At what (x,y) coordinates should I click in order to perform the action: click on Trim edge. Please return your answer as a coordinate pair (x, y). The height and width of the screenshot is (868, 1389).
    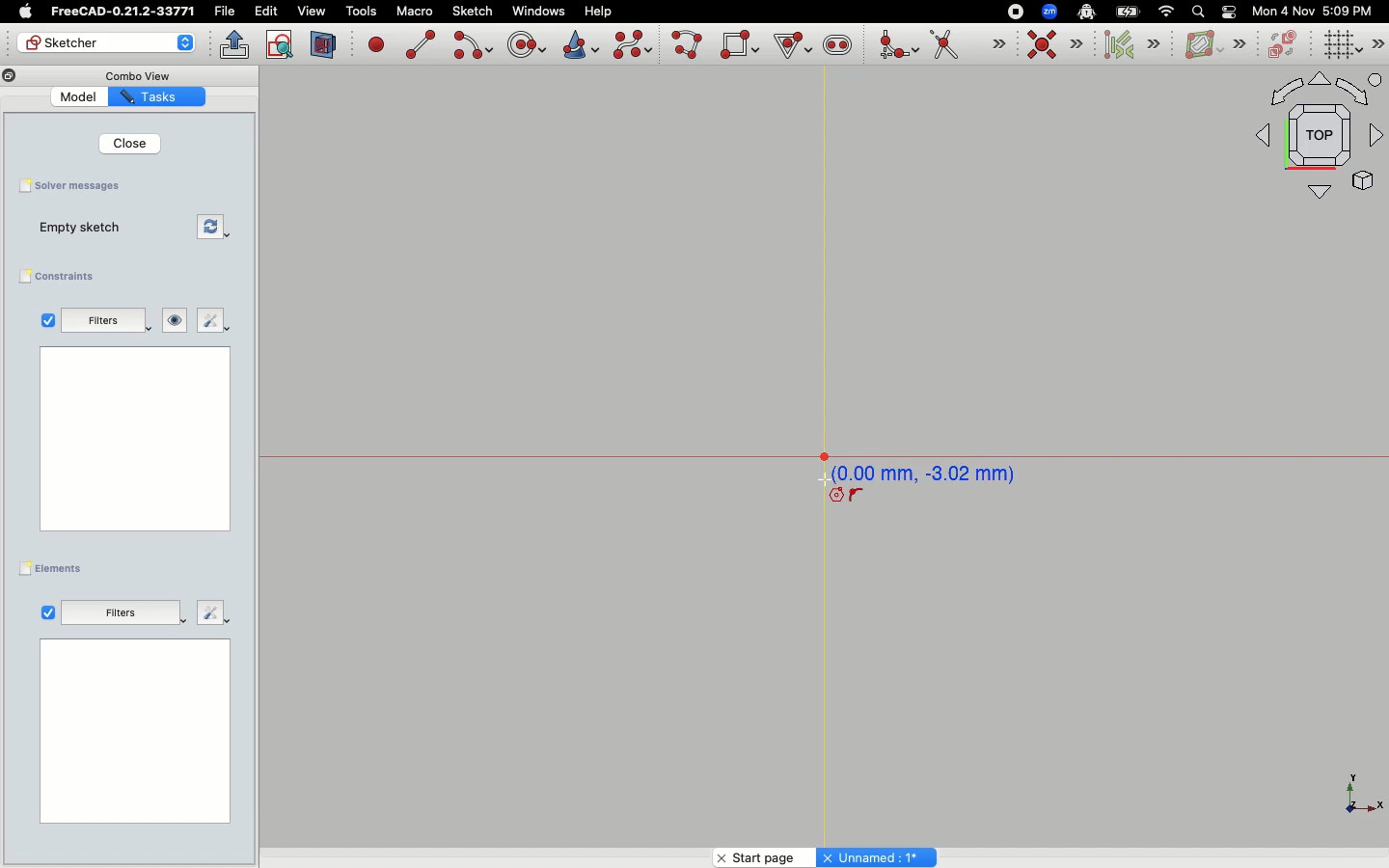
    Looking at the image, I should click on (967, 46).